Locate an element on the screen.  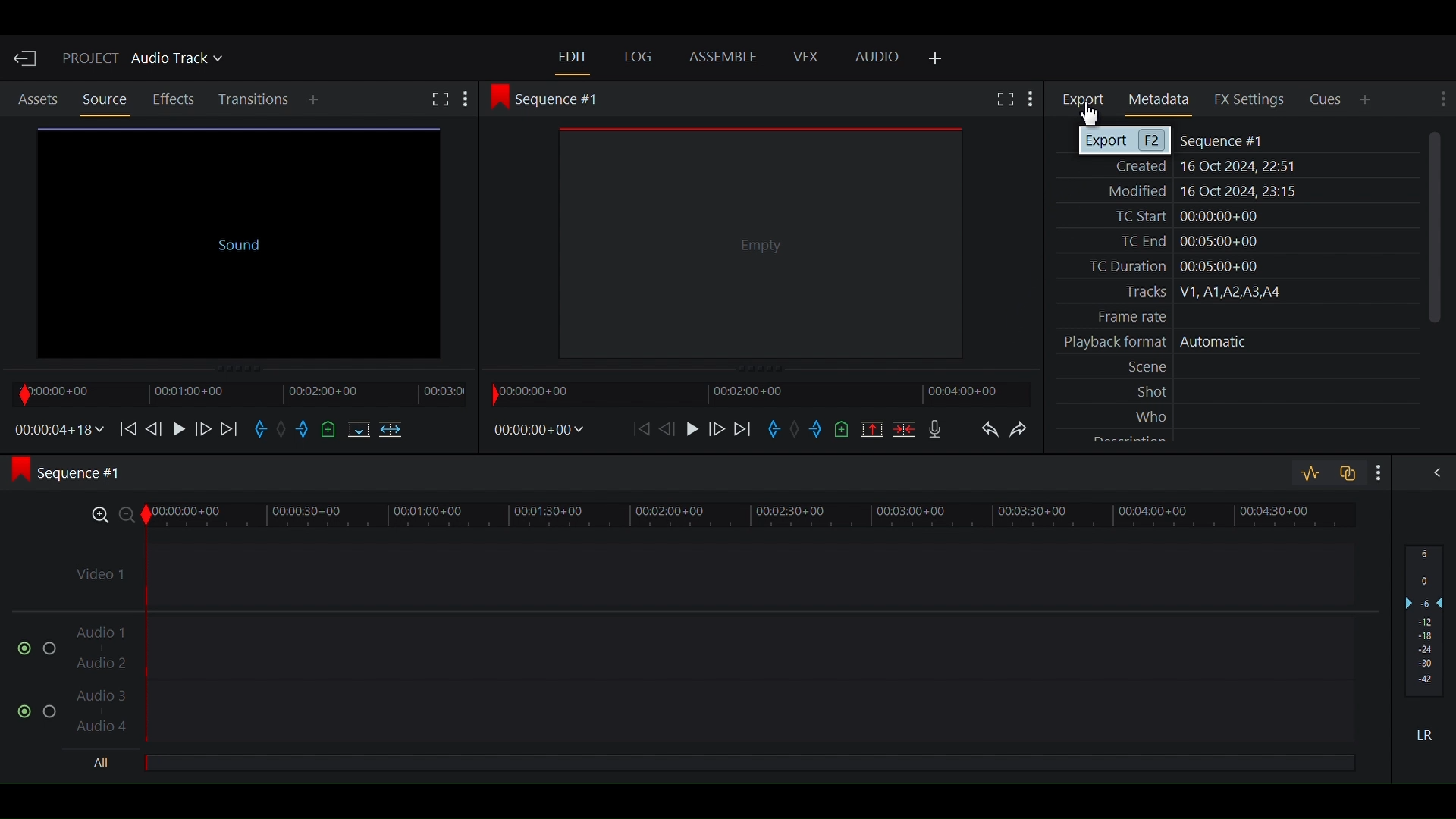
Audio Track 3, Audio Track 4 is located at coordinates (711, 715).